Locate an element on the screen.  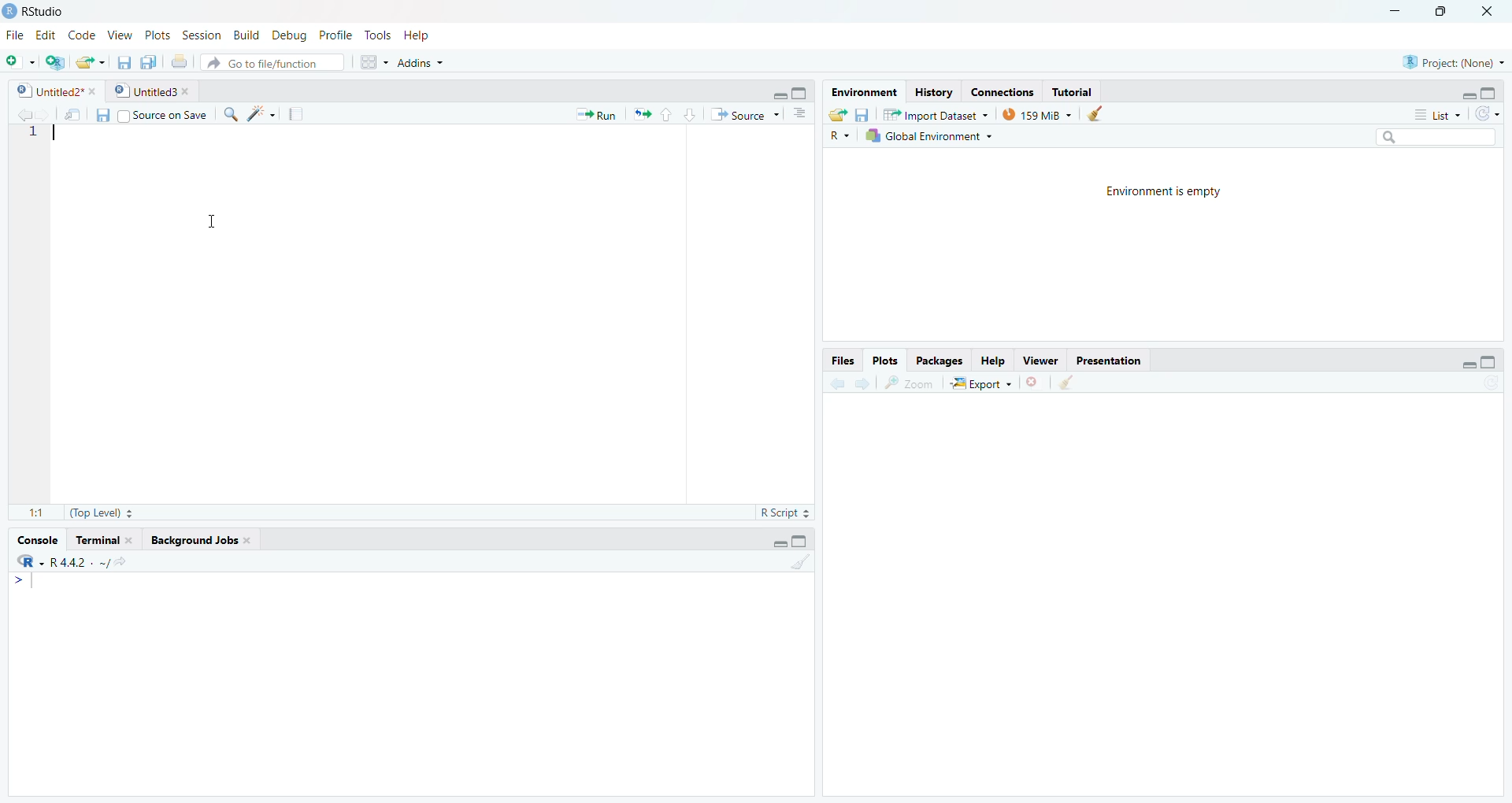
Terminal is located at coordinates (104, 540).